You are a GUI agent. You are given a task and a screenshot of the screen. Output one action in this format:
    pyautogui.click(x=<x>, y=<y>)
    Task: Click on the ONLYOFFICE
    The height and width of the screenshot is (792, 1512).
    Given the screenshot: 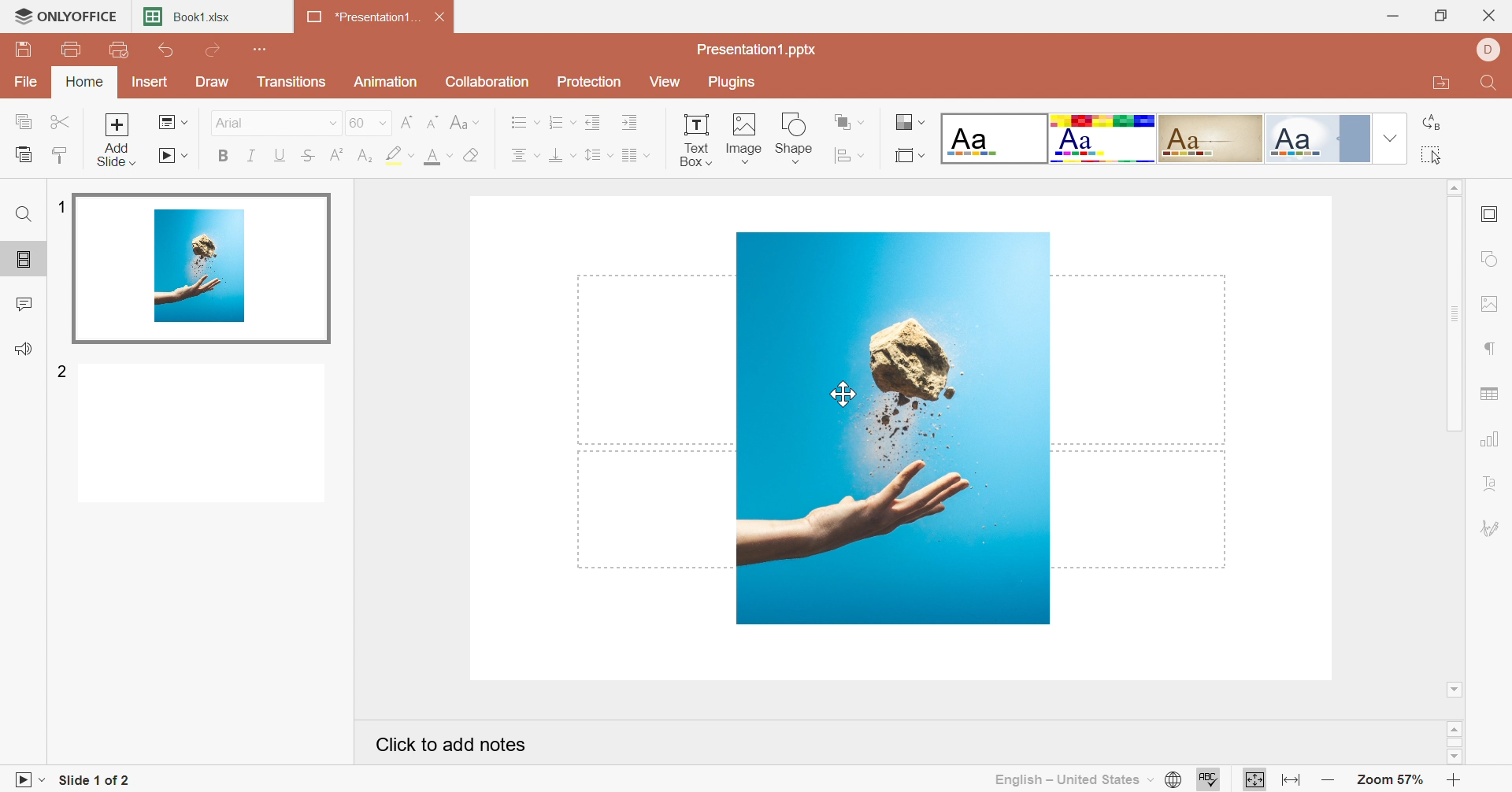 What is the action you would take?
    pyautogui.click(x=66, y=17)
    